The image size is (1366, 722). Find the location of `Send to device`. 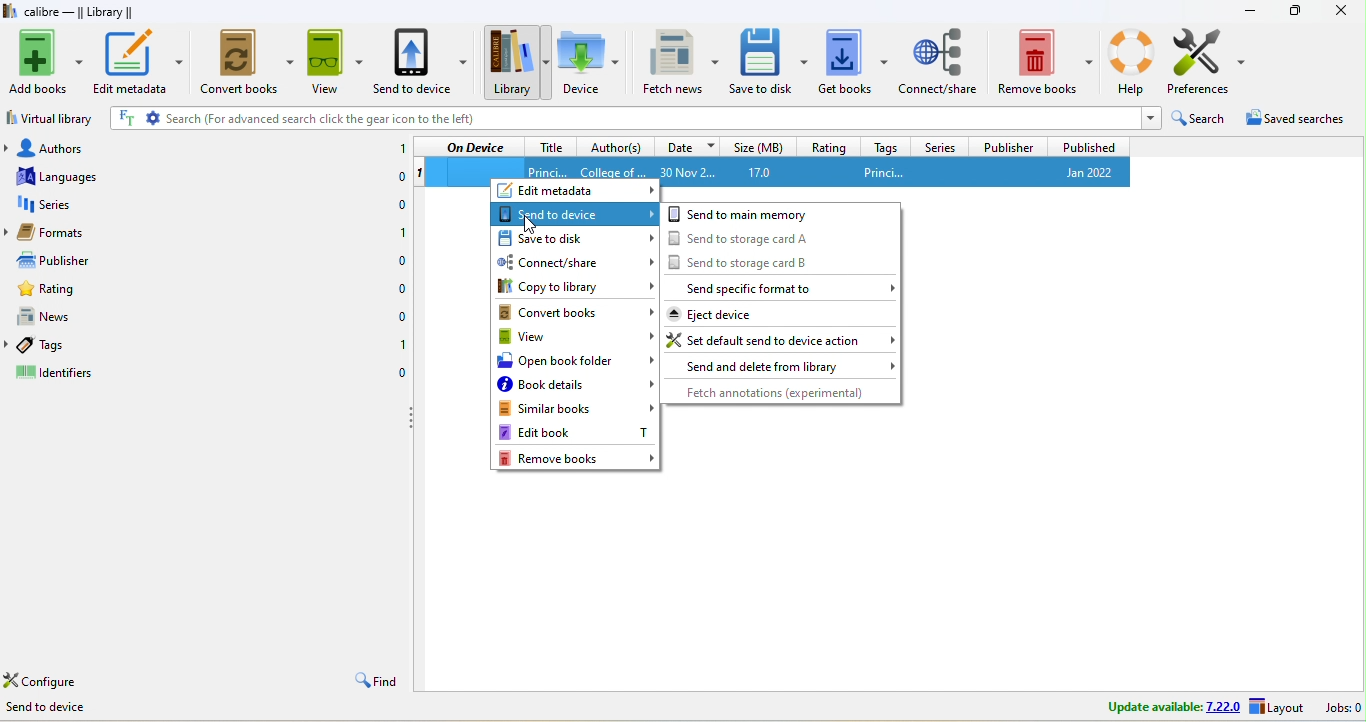

Send to device is located at coordinates (60, 711).